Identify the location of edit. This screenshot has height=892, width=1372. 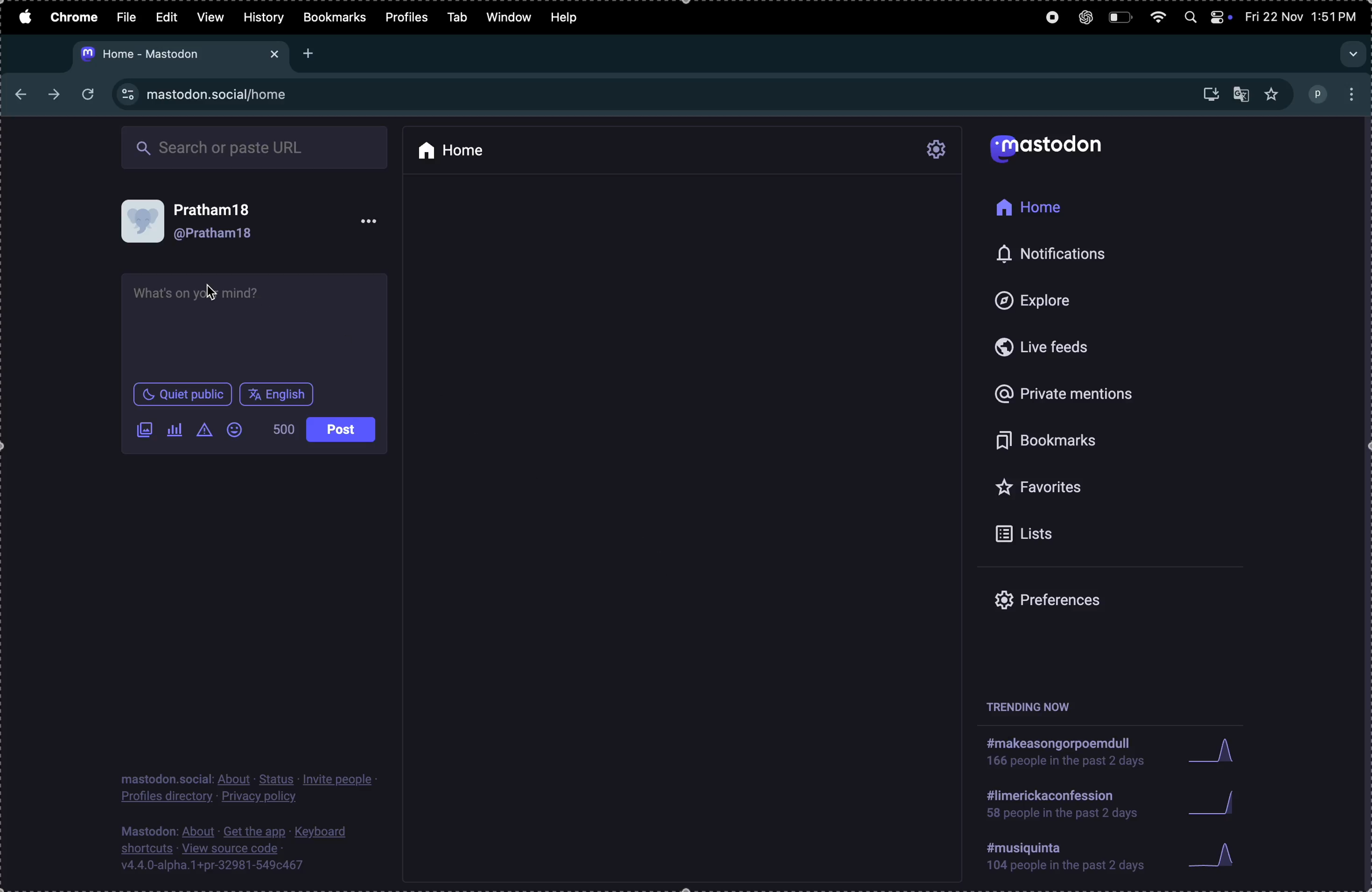
(168, 16).